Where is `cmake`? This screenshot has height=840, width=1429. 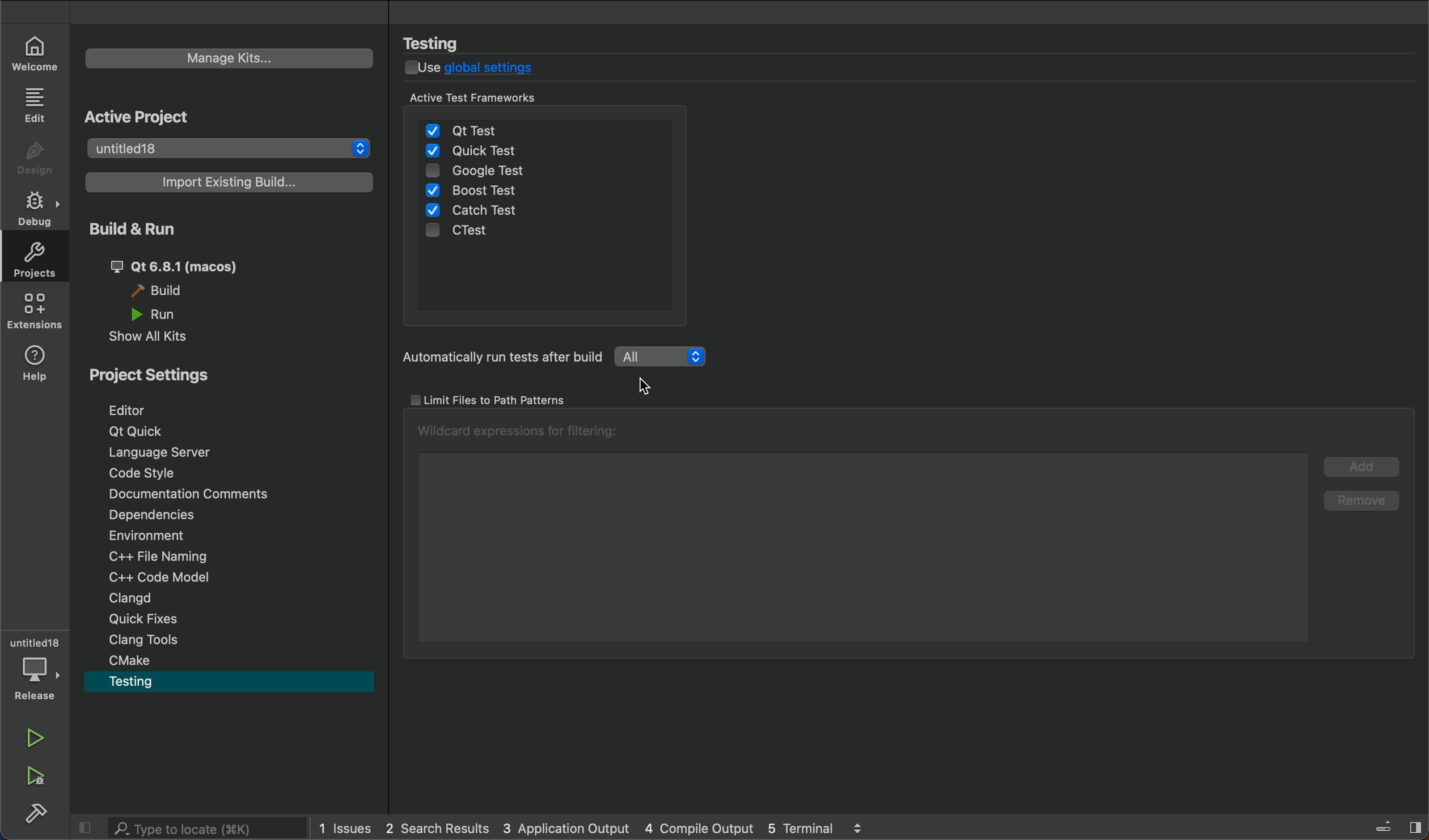 cmake is located at coordinates (133, 660).